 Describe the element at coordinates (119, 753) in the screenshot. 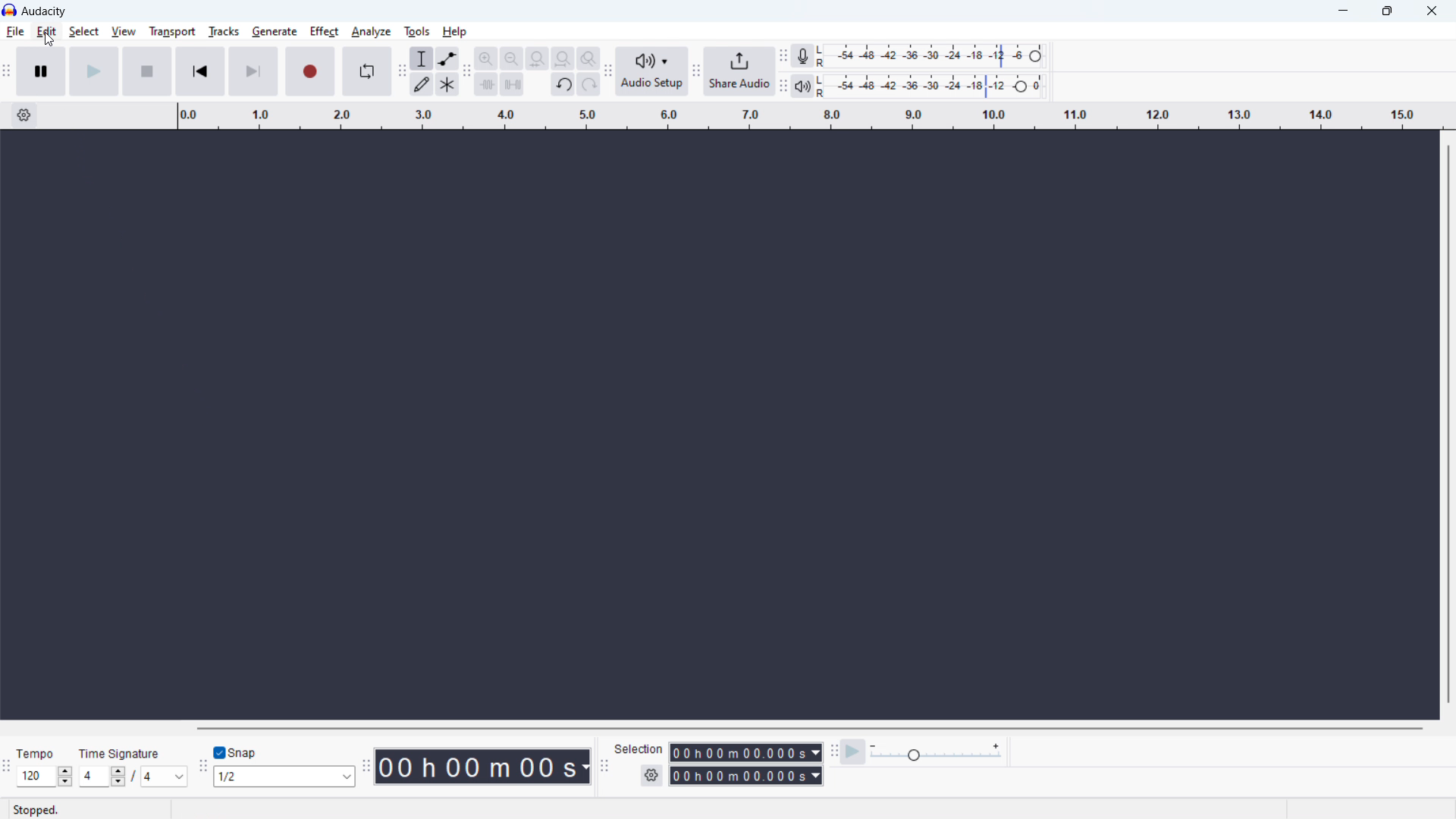

I see `Time Signature - indicates section for time signature of audio` at that location.